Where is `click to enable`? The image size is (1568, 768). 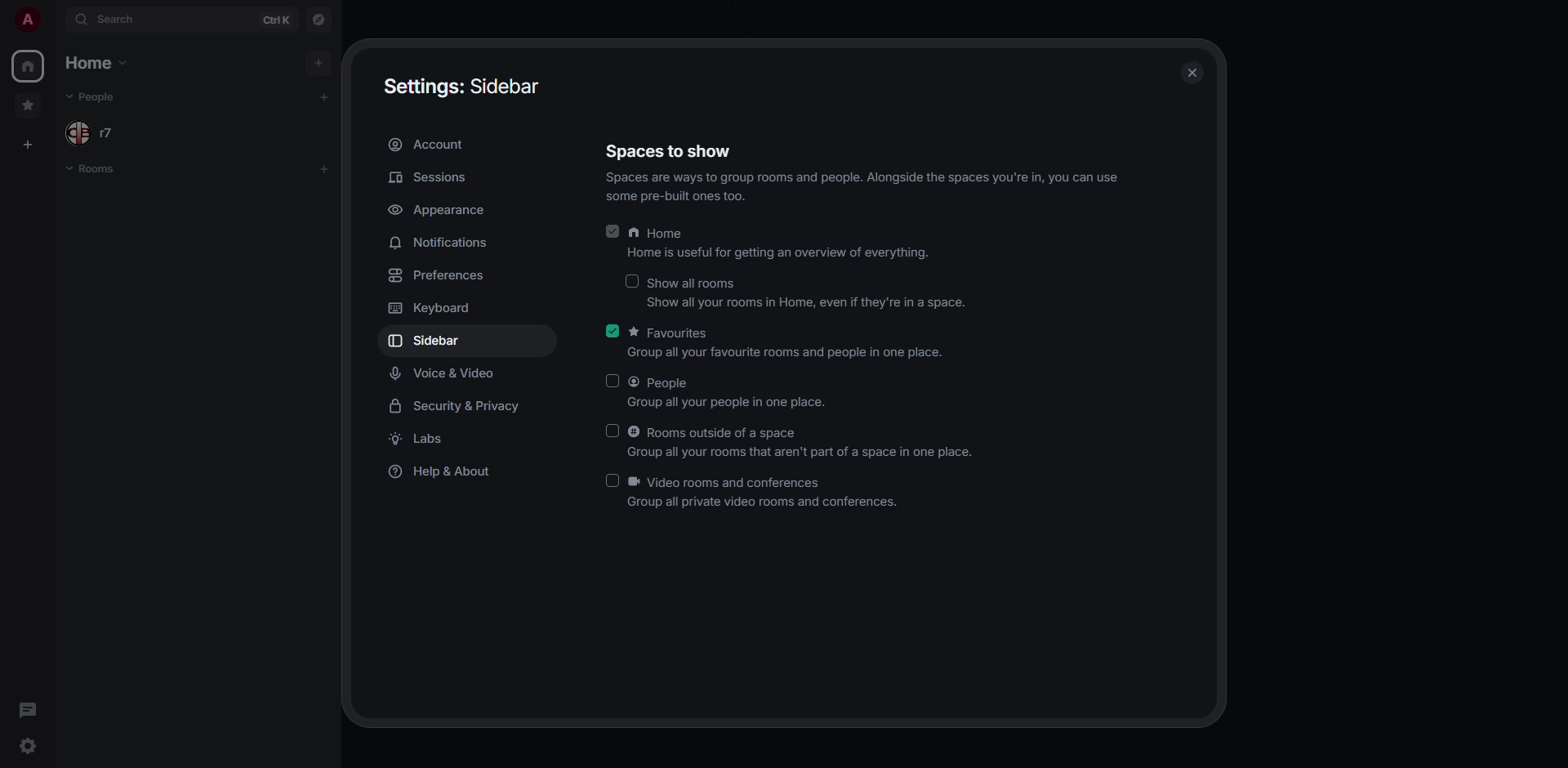
click to enable is located at coordinates (632, 281).